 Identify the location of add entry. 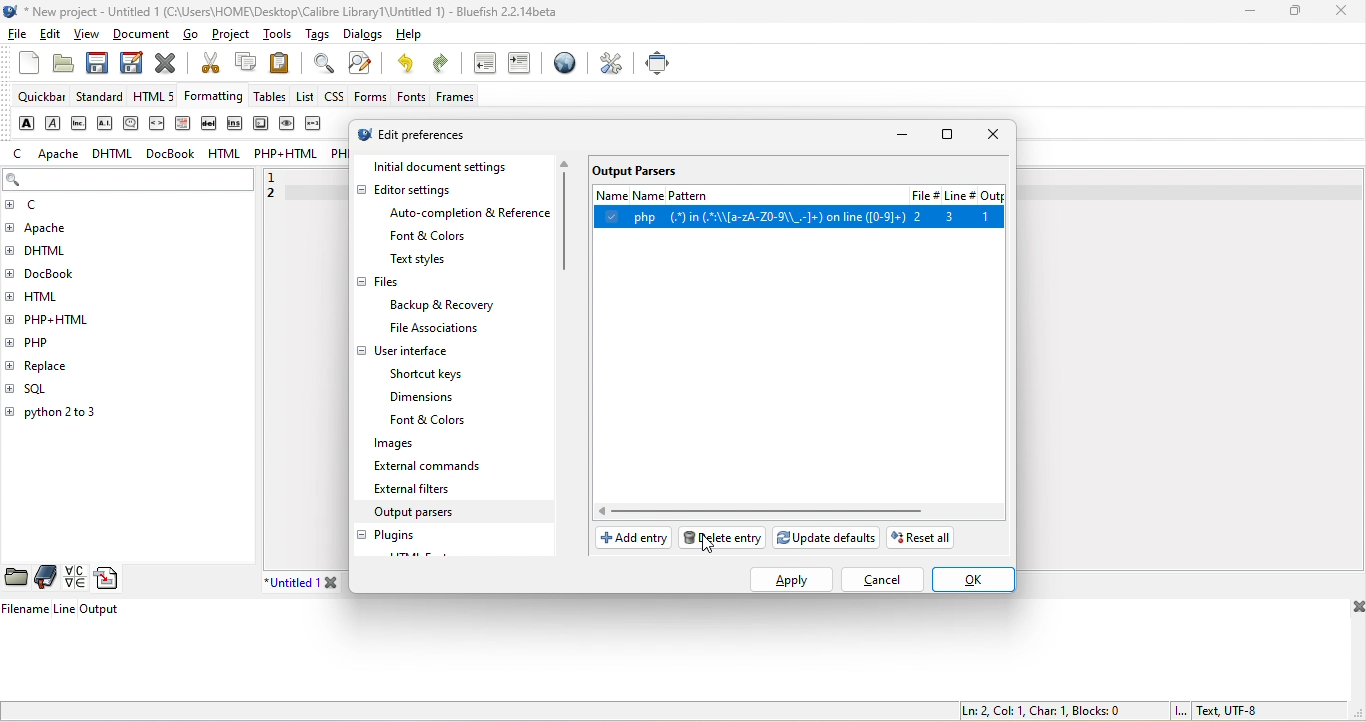
(632, 540).